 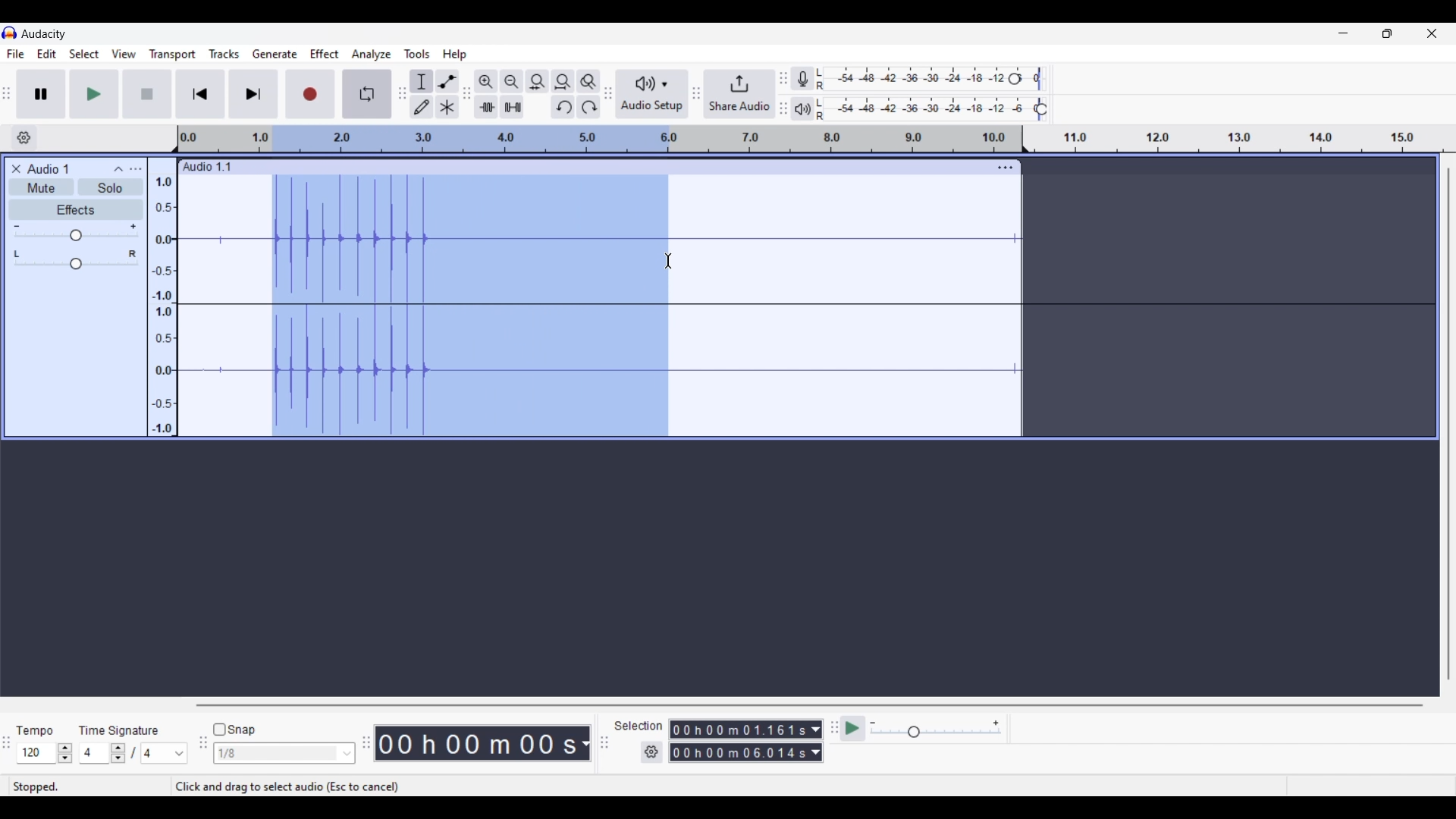 What do you see at coordinates (94, 93) in the screenshot?
I see `Play/Play once` at bounding box center [94, 93].